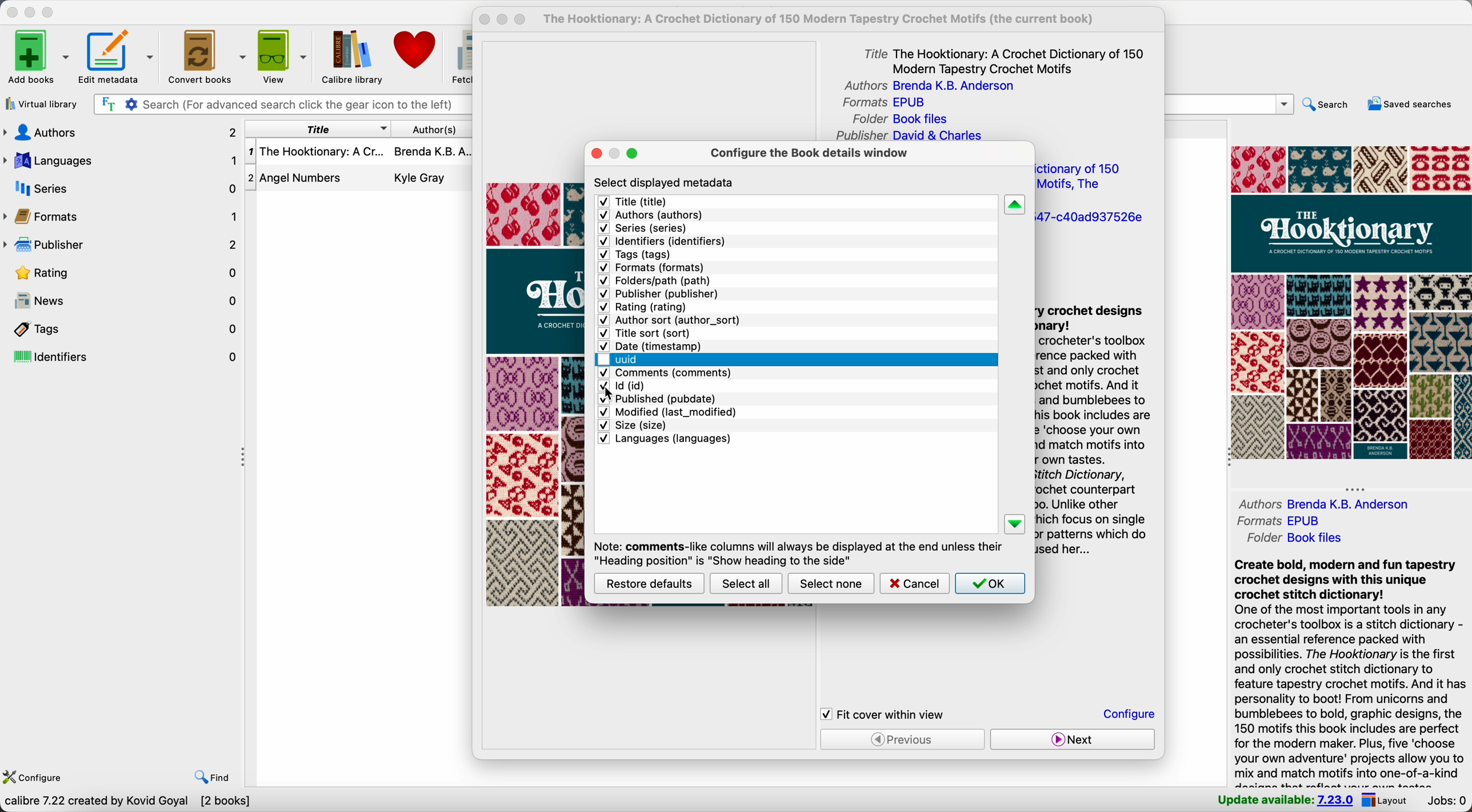 Image resolution: width=1472 pixels, height=812 pixels. What do you see at coordinates (49, 13) in the screenshot?
I see `maximize` at bounding box center [49, 13].